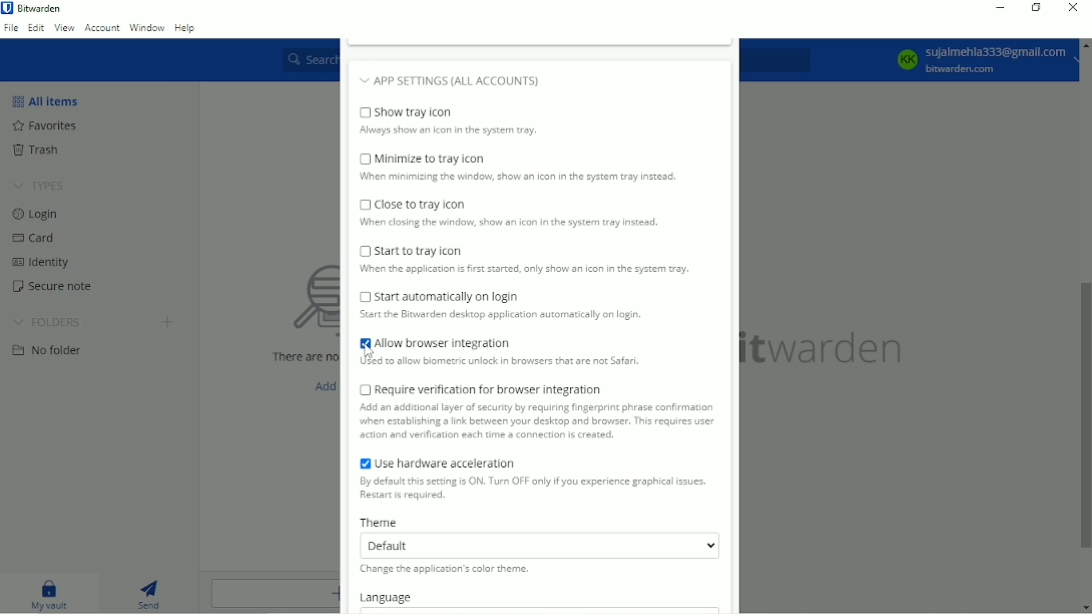  Describe the element at coordinates (102, 26) in the screenshot. I see `Account` at that location.